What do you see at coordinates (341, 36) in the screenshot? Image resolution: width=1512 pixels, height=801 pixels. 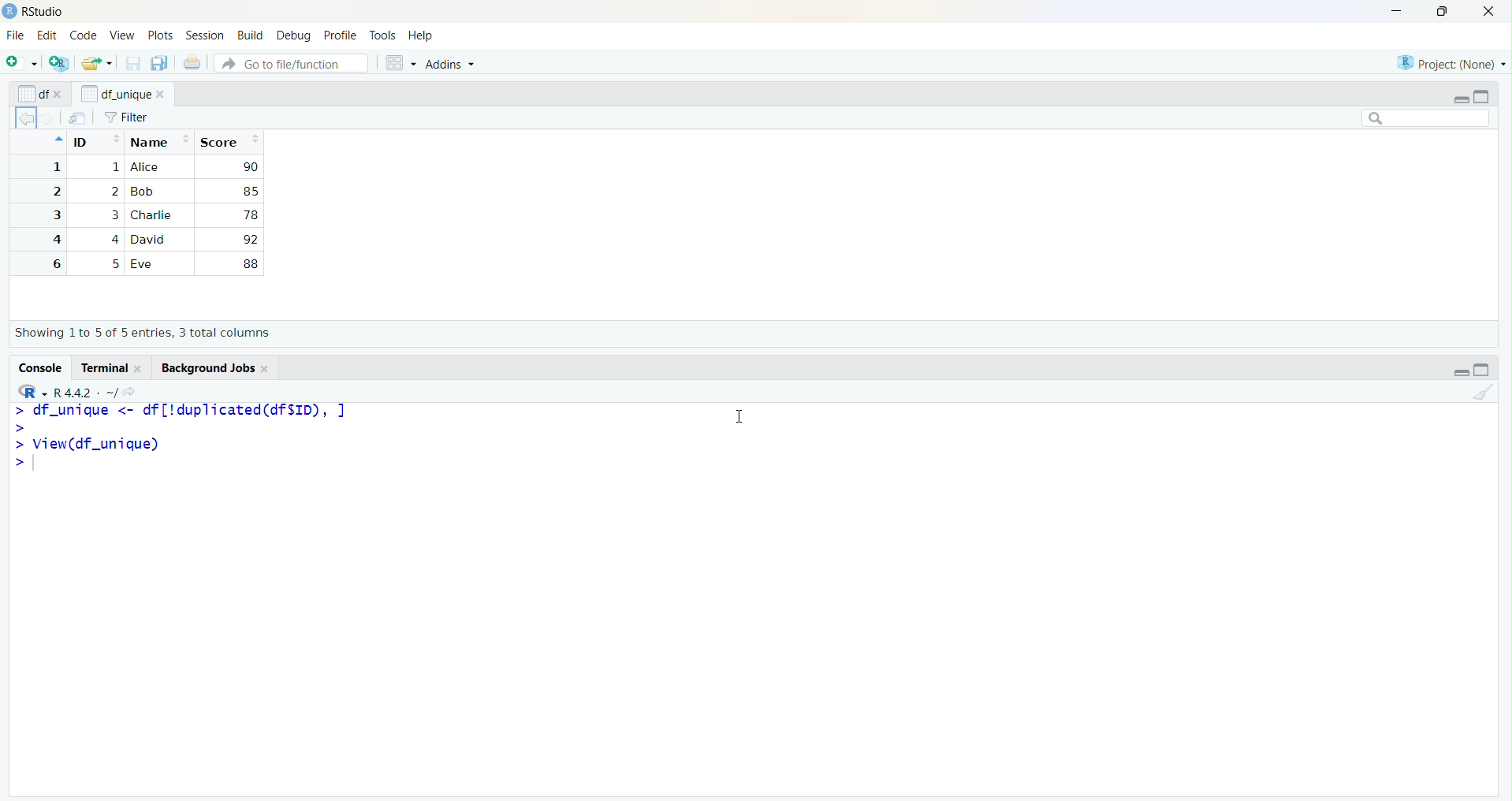 I see `Profile` at bounding box center [341, 36].